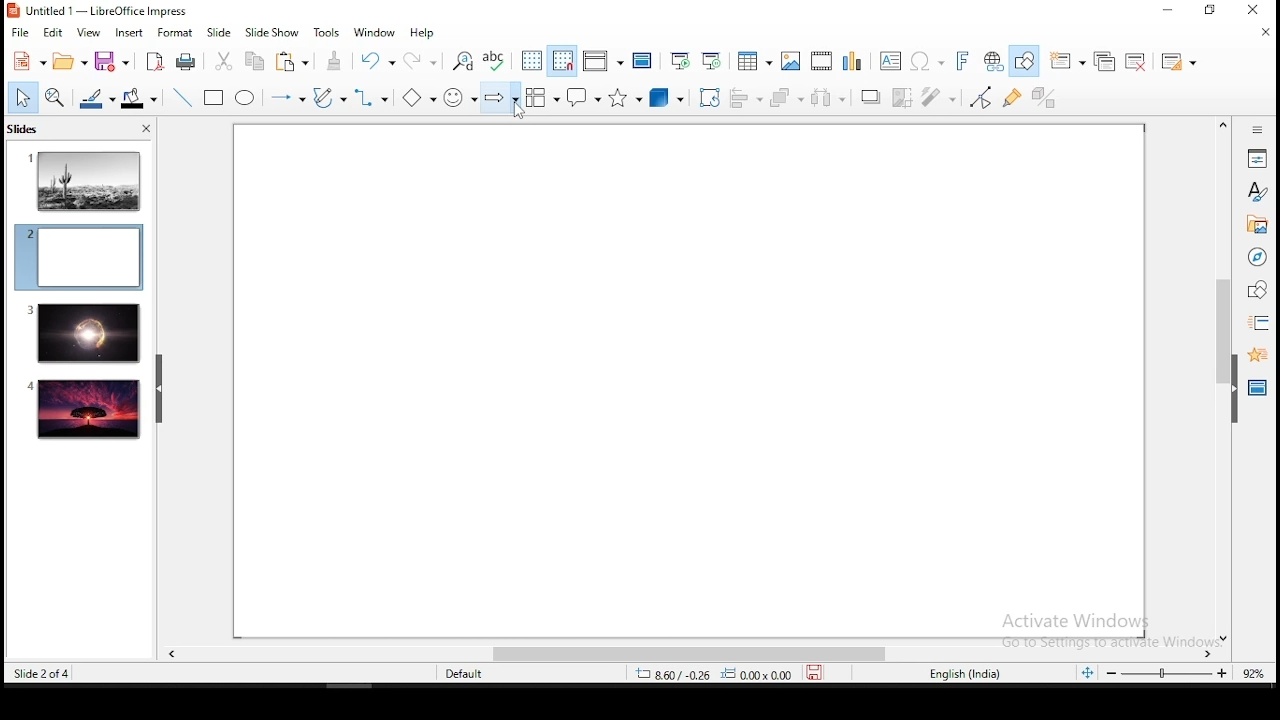 This screenshot has width=1280, height=720. What do you see at coordinates (215, 99) in the screenshot?
I see `rectangle` at bounding box center [215, 99].